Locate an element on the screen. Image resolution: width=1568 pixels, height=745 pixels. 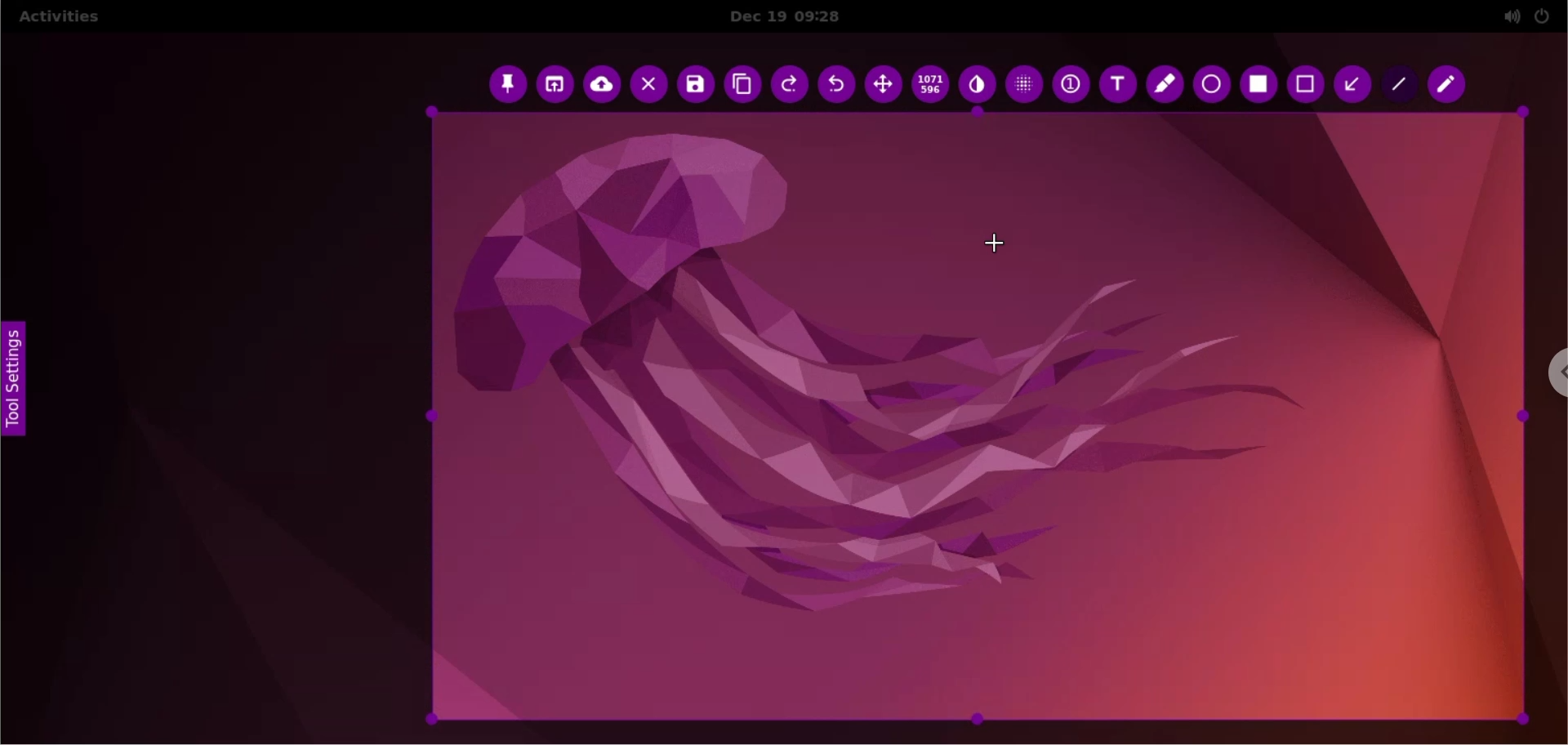
pin is located at coordinates (509, 86).